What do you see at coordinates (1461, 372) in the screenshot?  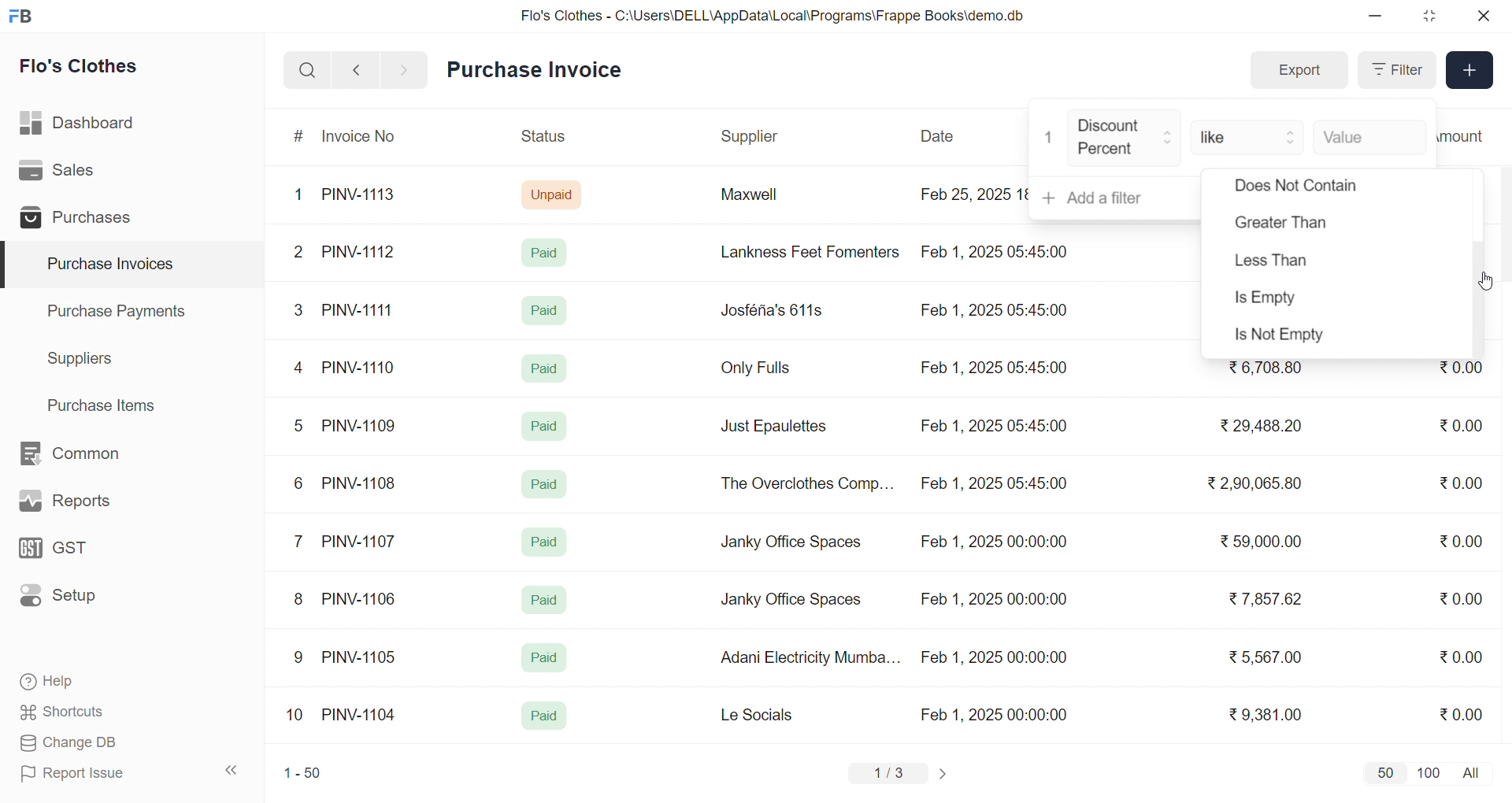 I see `₹0.00` at bounding box center [1461, 372].